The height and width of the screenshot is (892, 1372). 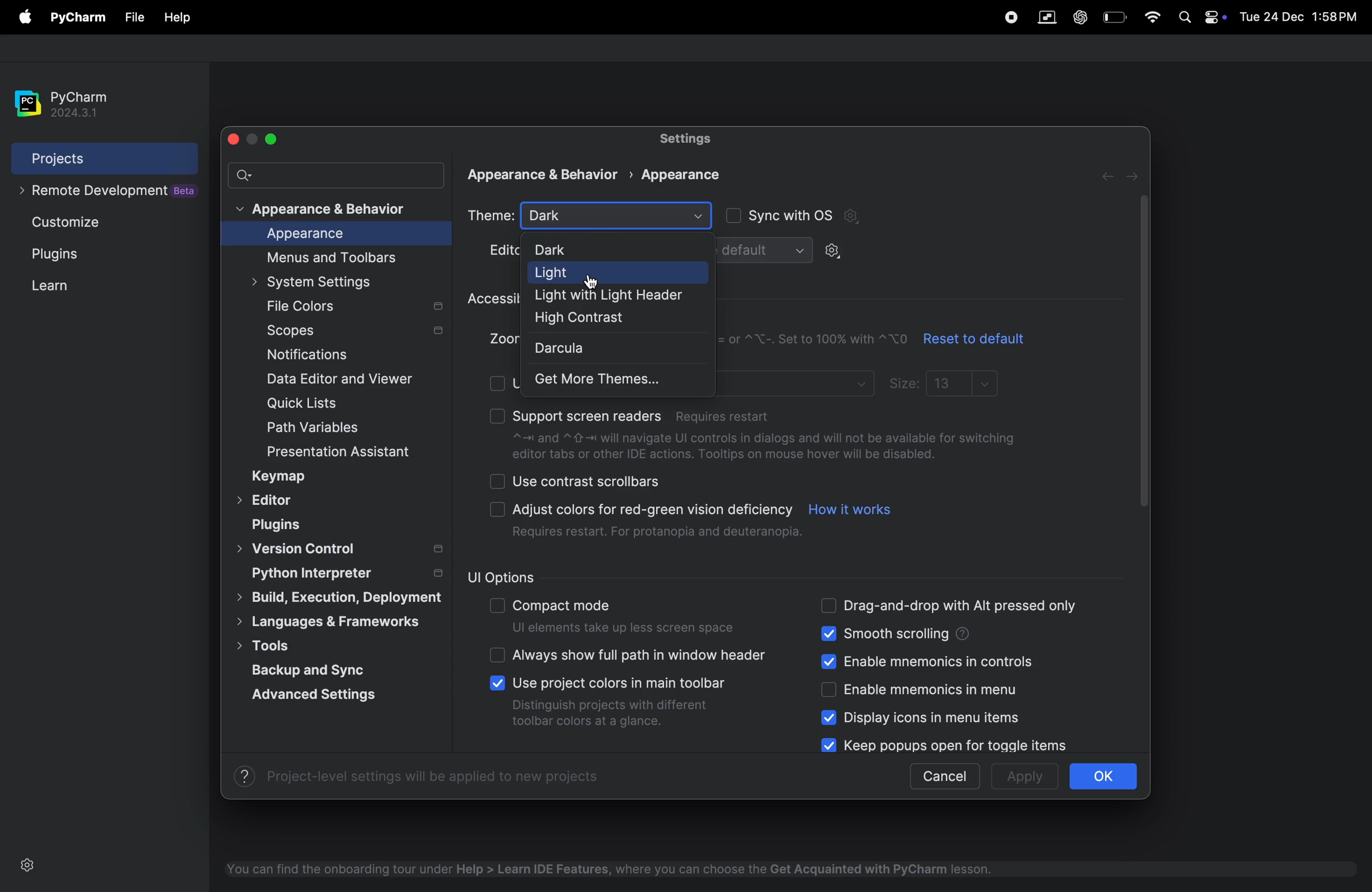 I want to click on Tue 24 Dec 1:58PM, so click(x=1295, y=17).